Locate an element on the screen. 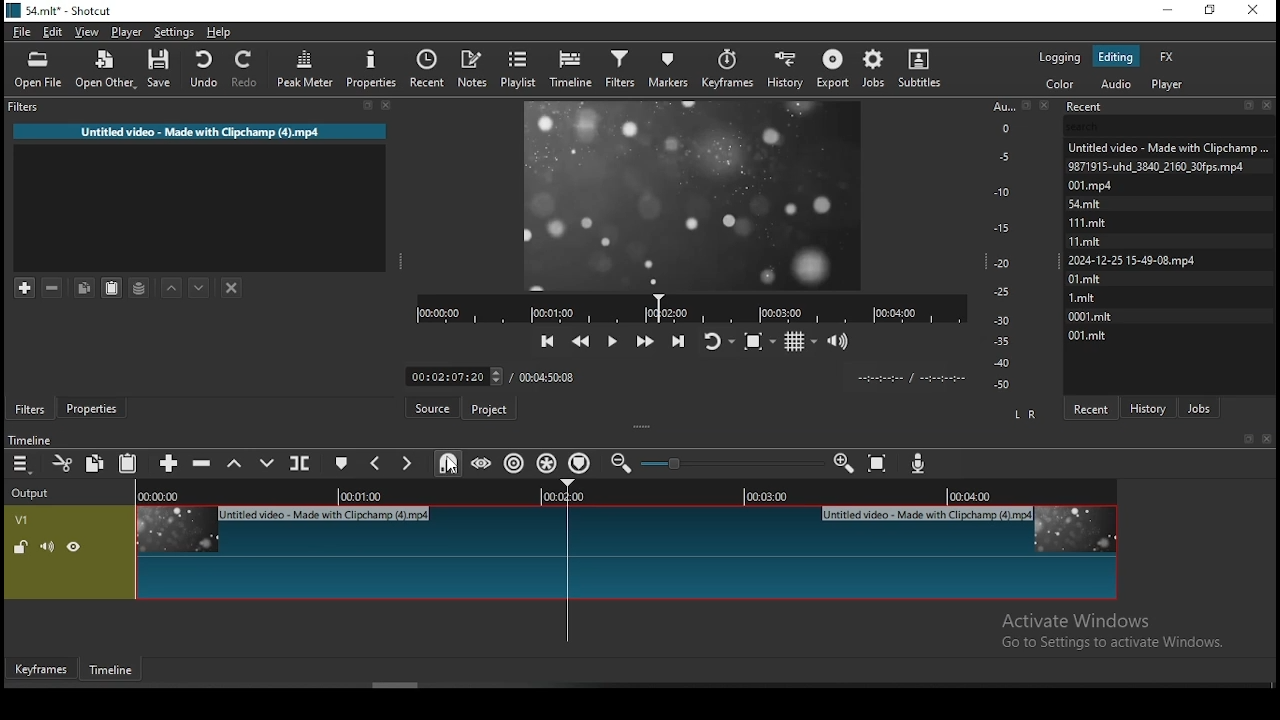 The width and height of the screenshot is (1280, 720). move filter down is located at coordinates (201, 287).